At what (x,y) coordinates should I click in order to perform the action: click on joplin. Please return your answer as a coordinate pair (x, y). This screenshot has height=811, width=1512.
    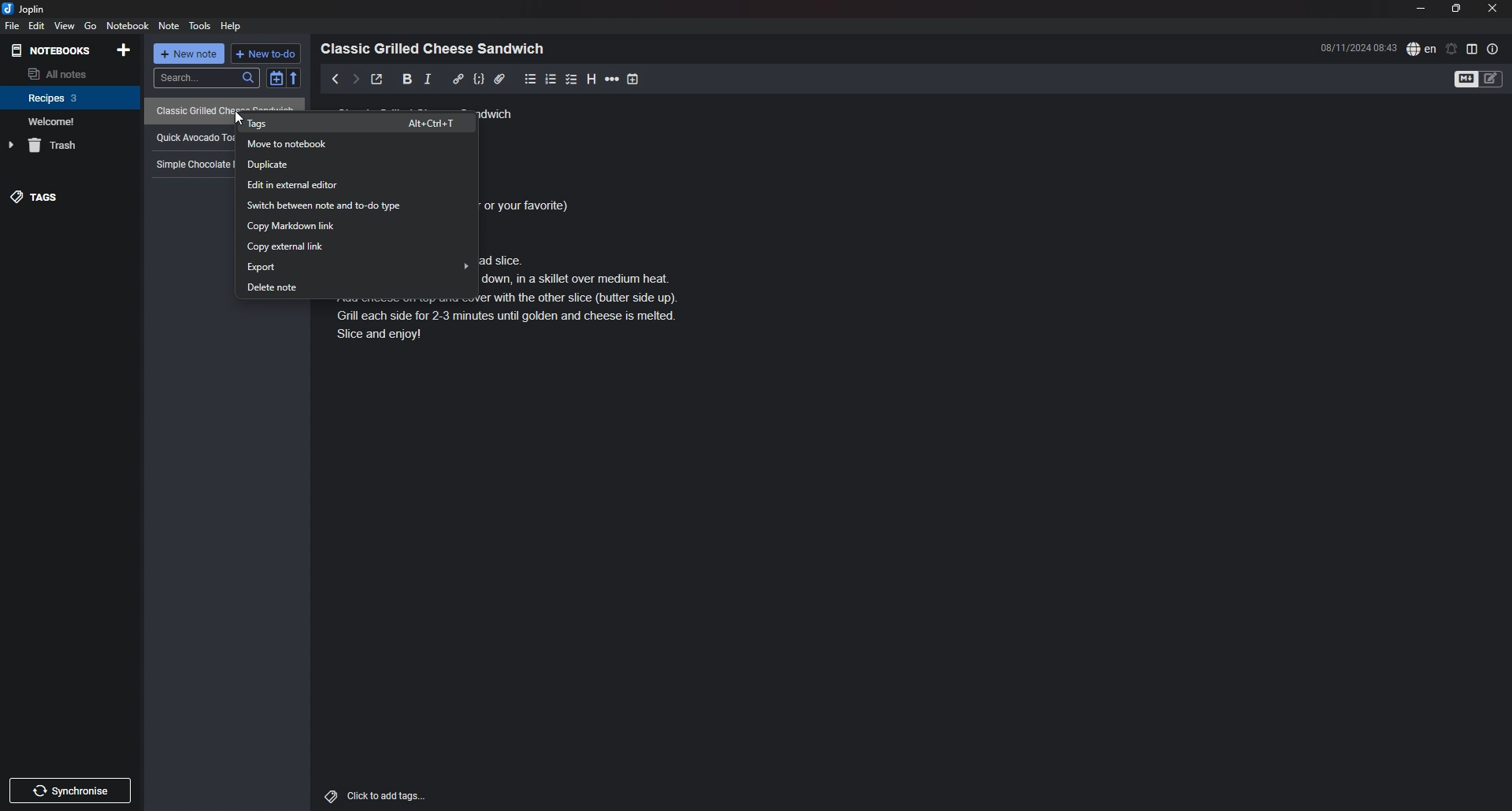
    Looking at the image, I should click on (26, 9).